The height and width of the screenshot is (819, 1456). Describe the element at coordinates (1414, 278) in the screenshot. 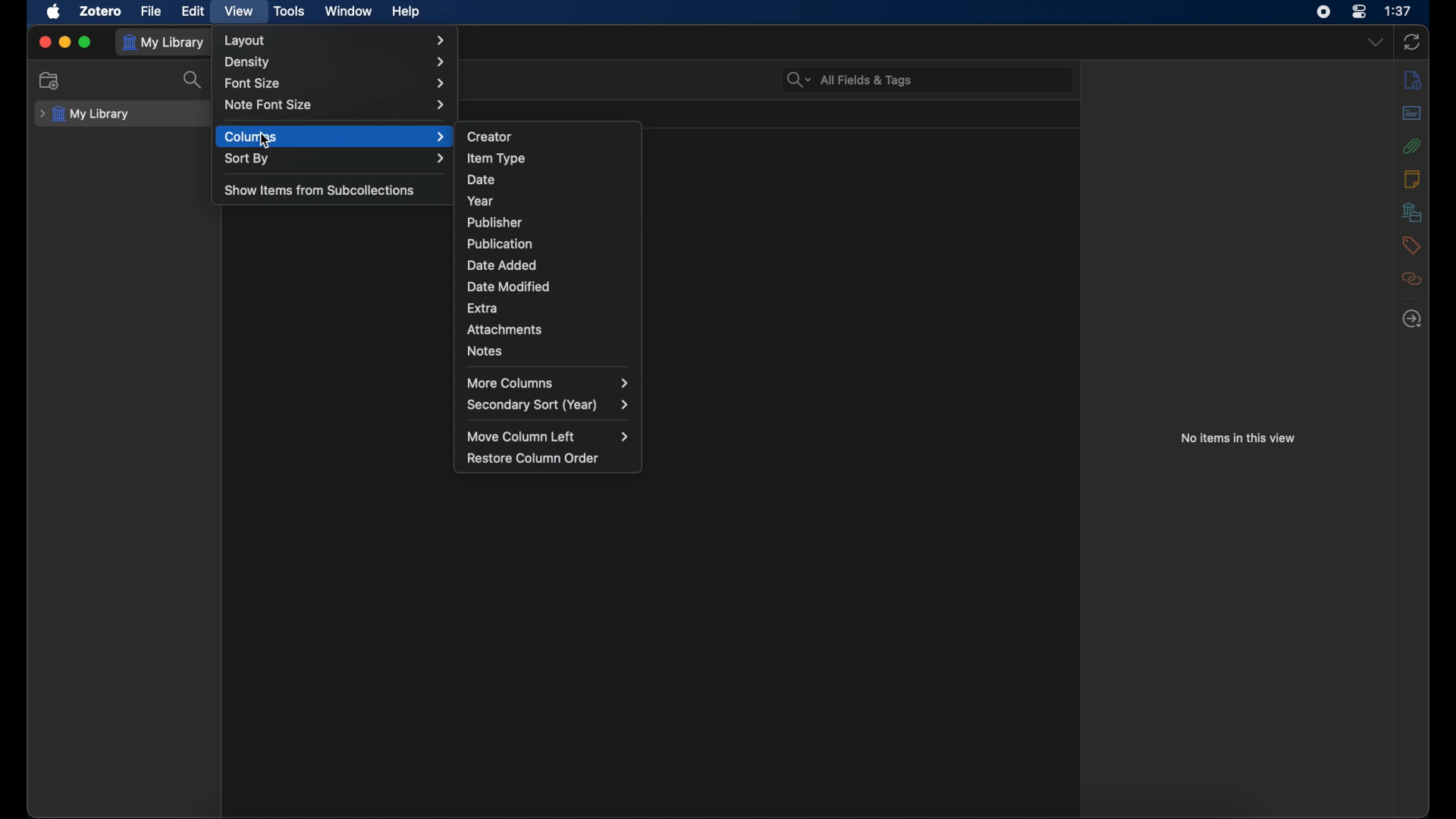

I see `related` at that location.